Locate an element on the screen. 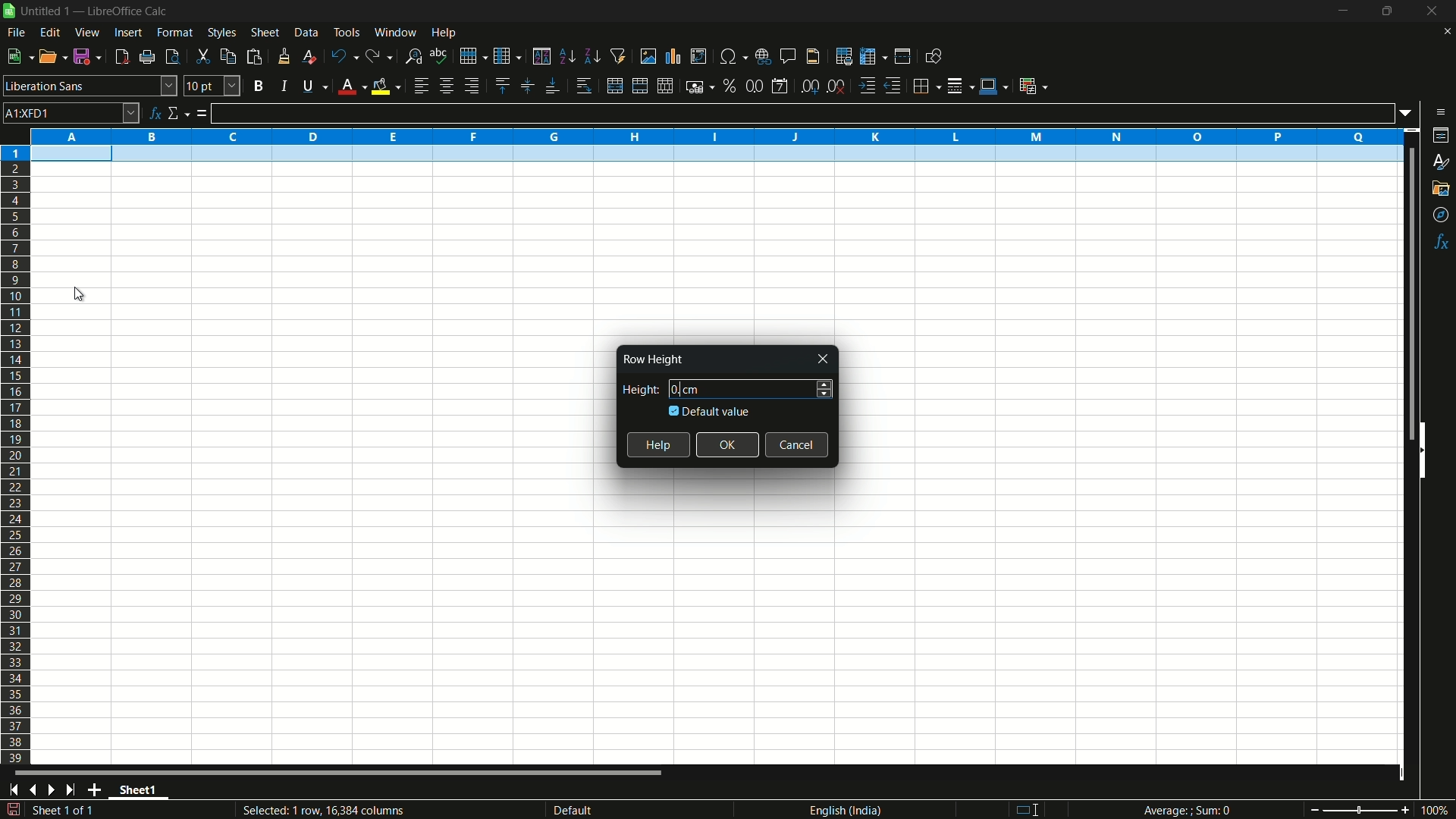 Image resolution: width=1456 pixels, height=819 pixels. data menu is located at coordinates (306, 33).